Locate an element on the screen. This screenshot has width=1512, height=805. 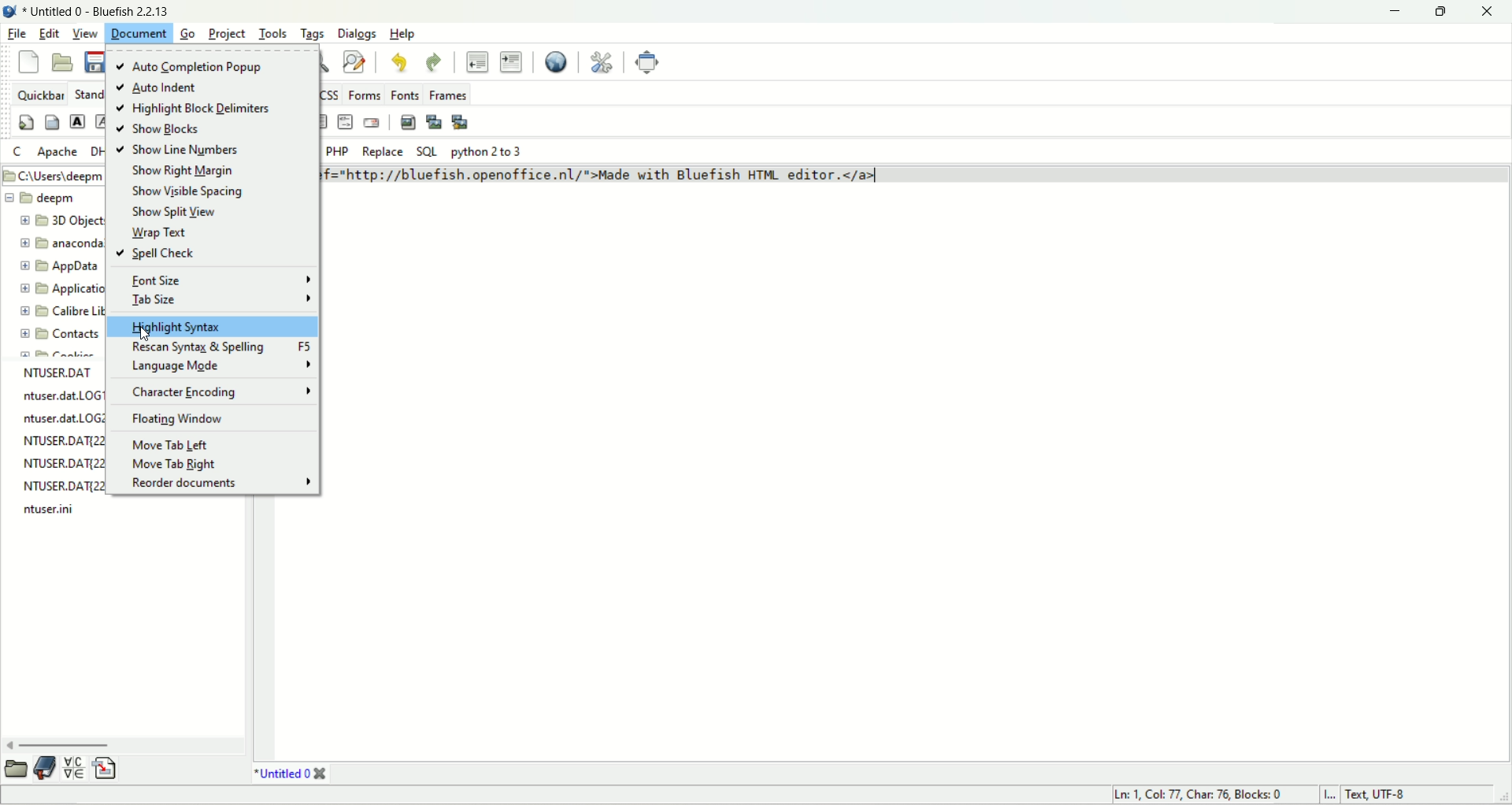
maximize is located at coordinates (1439, 12).